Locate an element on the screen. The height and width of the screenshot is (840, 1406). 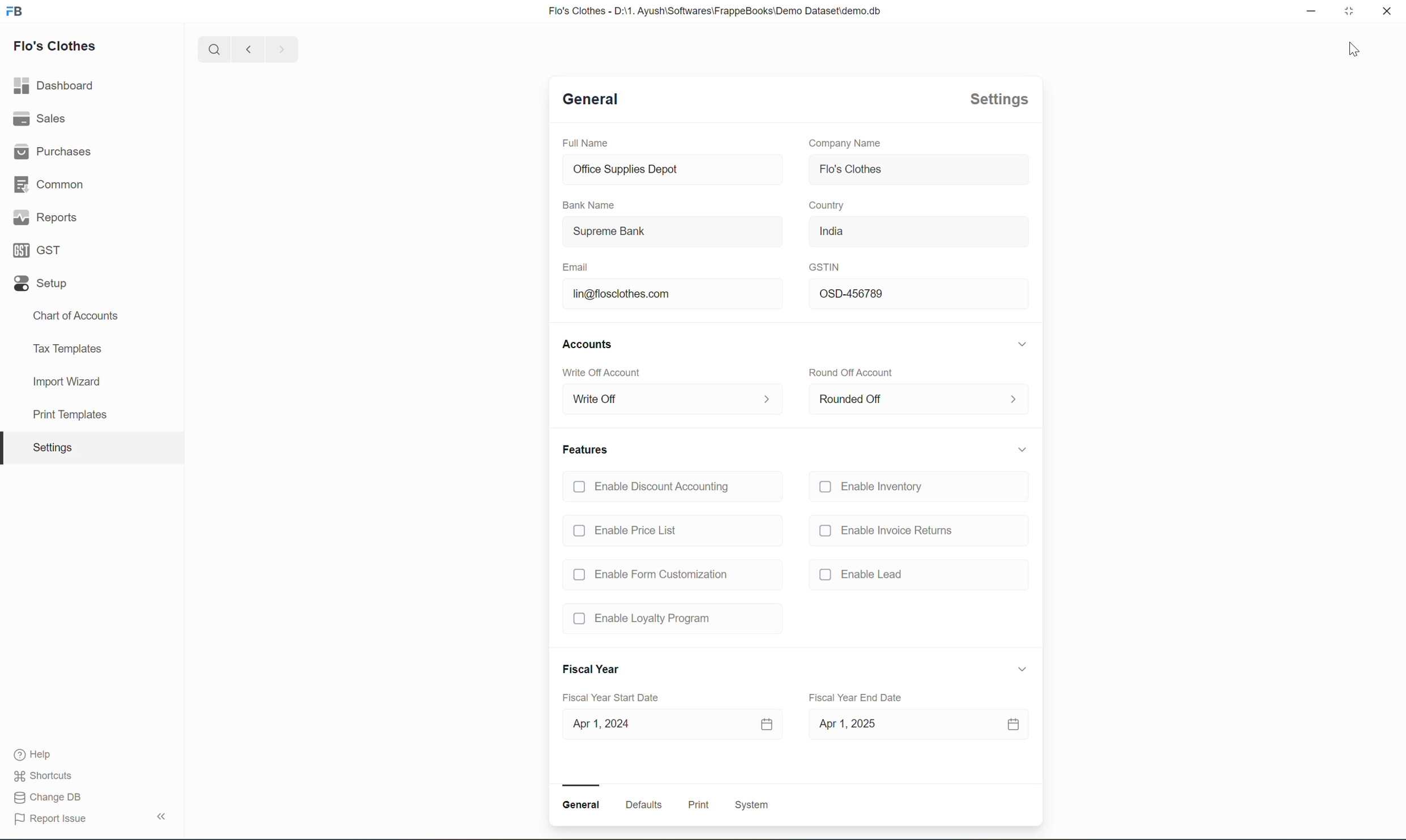
Reports is located at coordinates (45, 220).